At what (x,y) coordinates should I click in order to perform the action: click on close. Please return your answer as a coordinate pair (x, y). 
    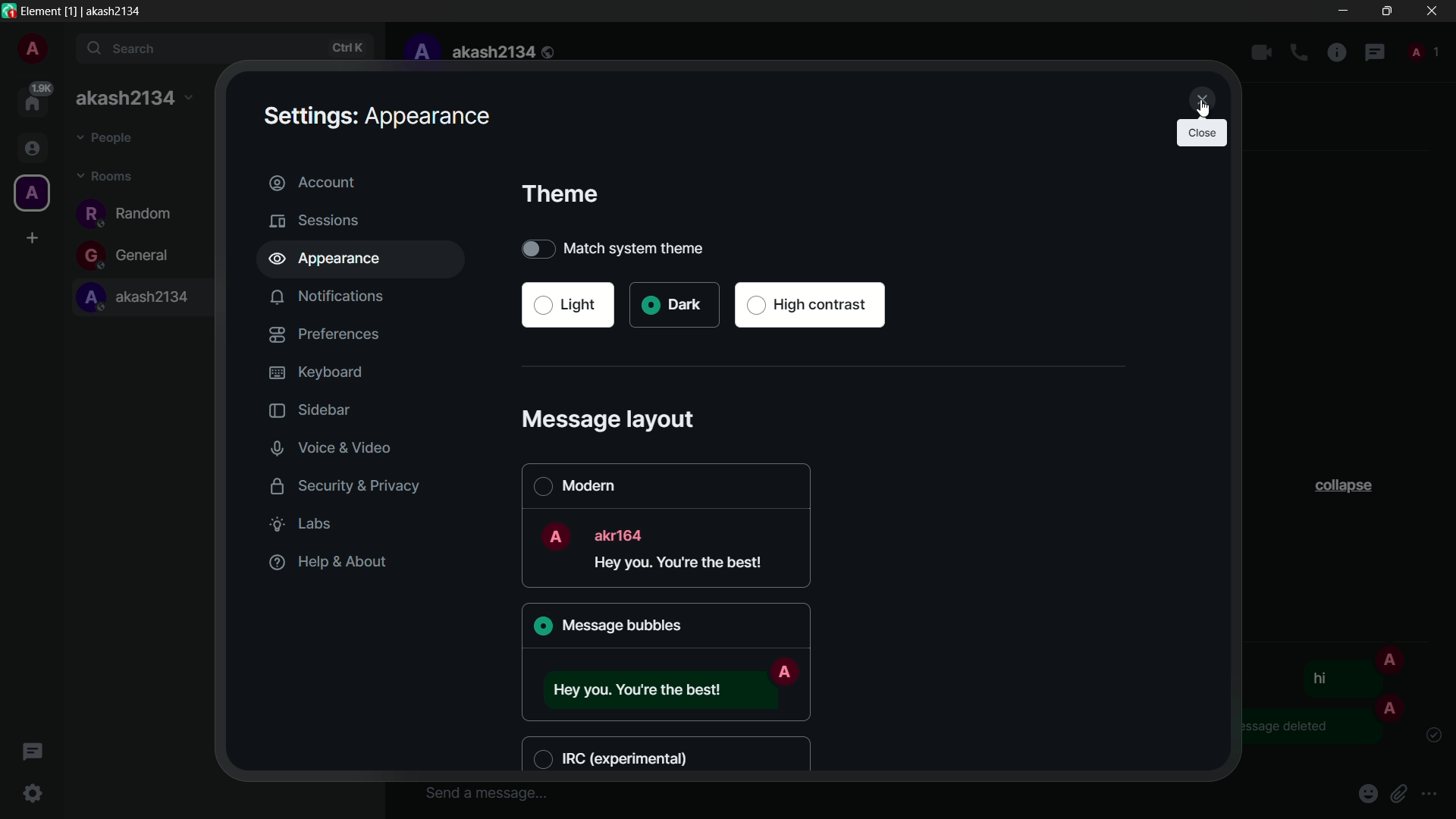
    Looking at the image, I should click on (1432, 11).